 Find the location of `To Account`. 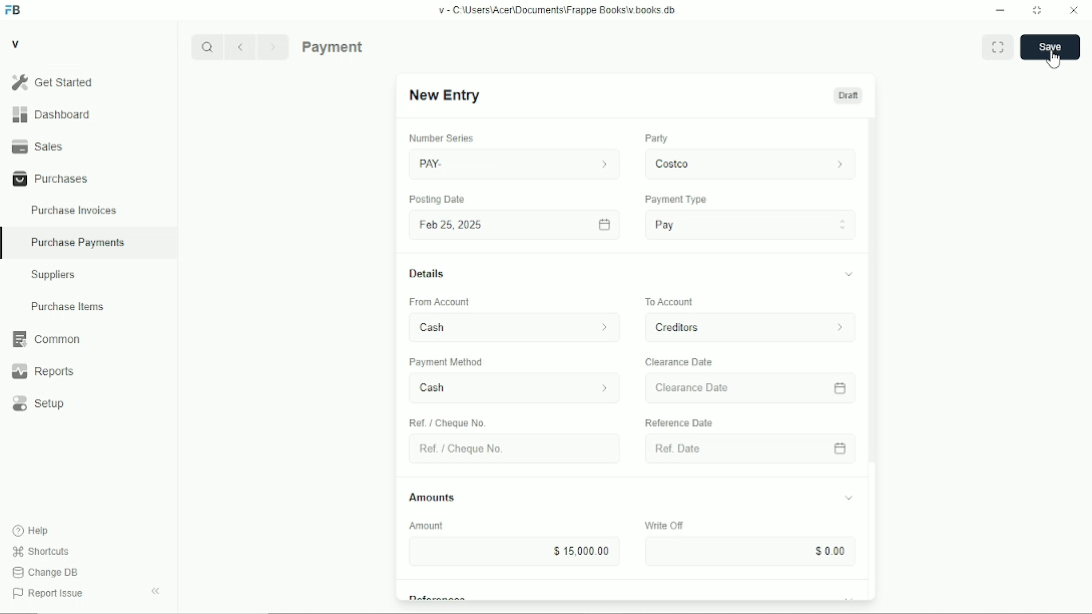

To Account is located at coordinates (747, 328).